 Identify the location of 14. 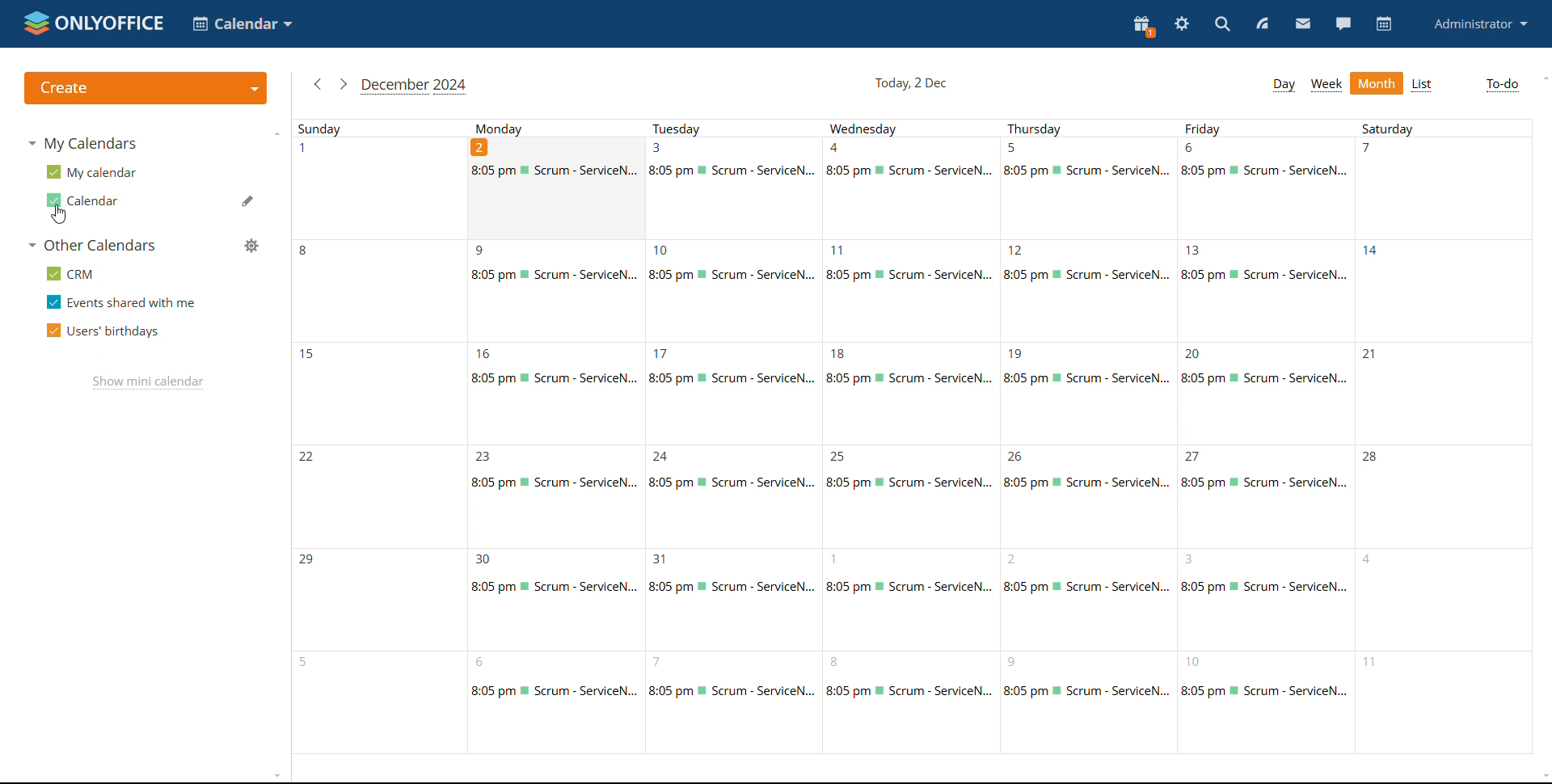
(1443, 291).